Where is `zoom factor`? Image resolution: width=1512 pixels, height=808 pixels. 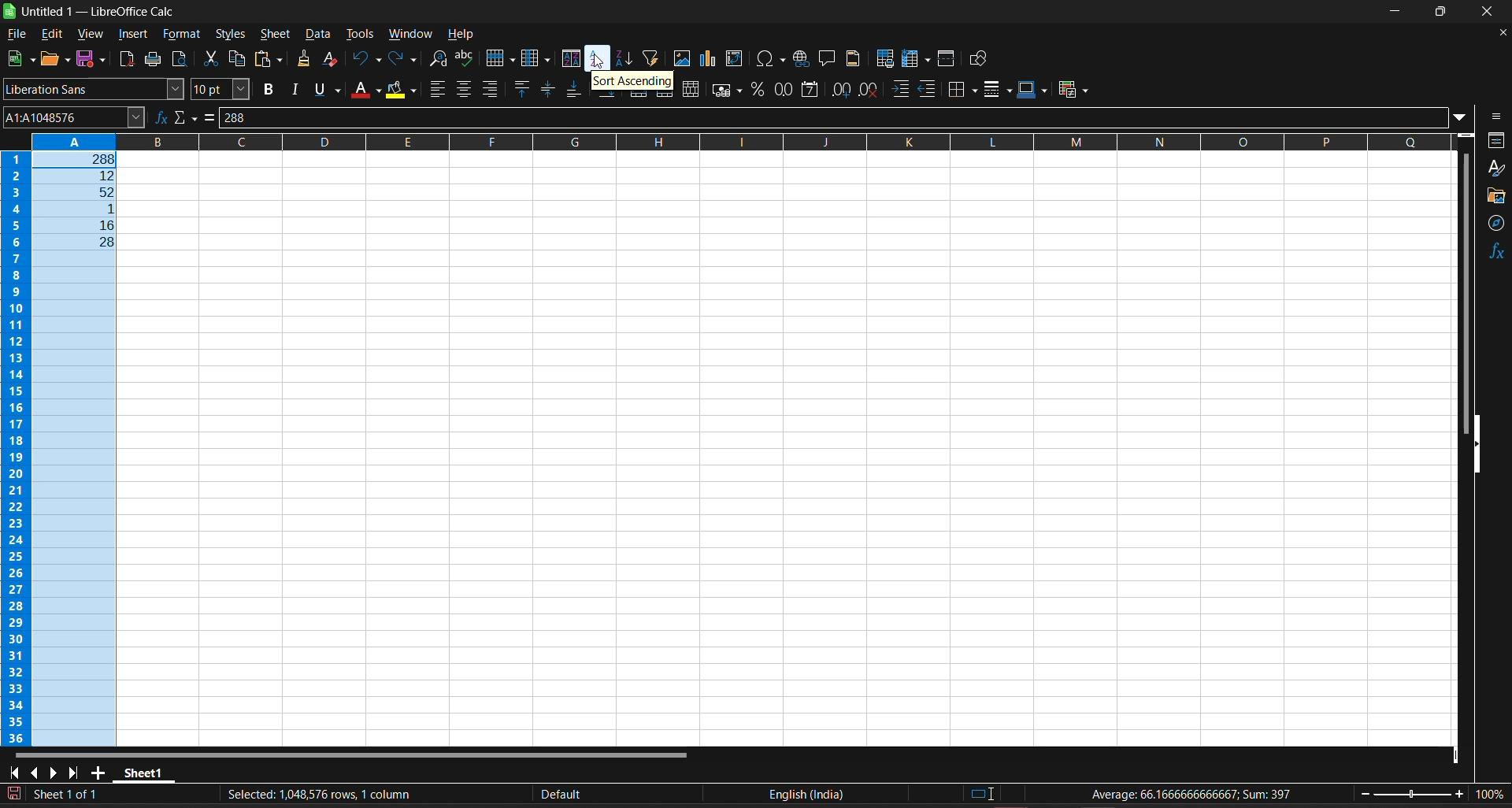
zoom factor is located at coordinates (1493, 797).